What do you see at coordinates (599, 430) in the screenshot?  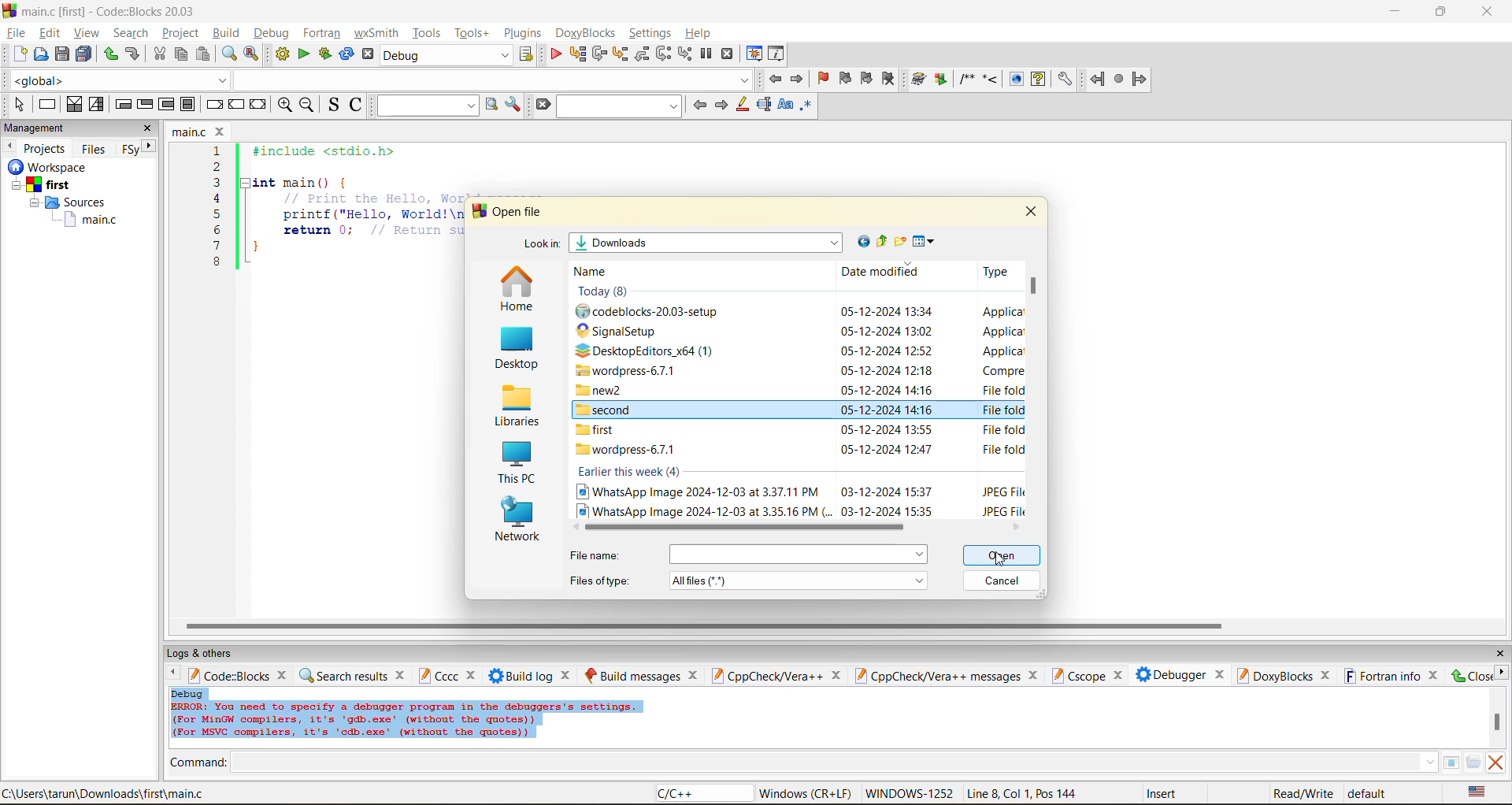 I see `first folder` at bounding box center [599, 430].